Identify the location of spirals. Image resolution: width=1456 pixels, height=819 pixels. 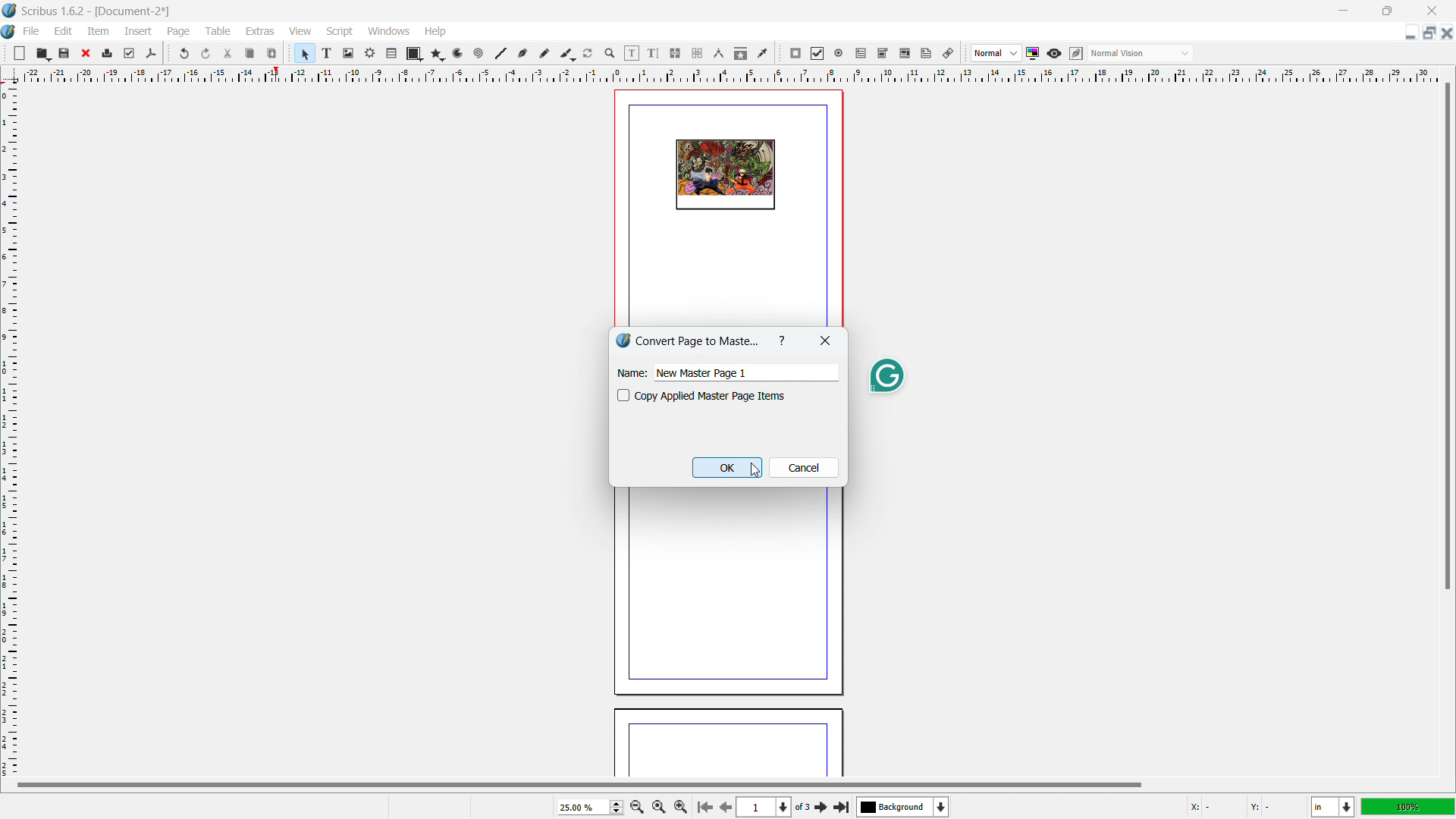
(479, 54).